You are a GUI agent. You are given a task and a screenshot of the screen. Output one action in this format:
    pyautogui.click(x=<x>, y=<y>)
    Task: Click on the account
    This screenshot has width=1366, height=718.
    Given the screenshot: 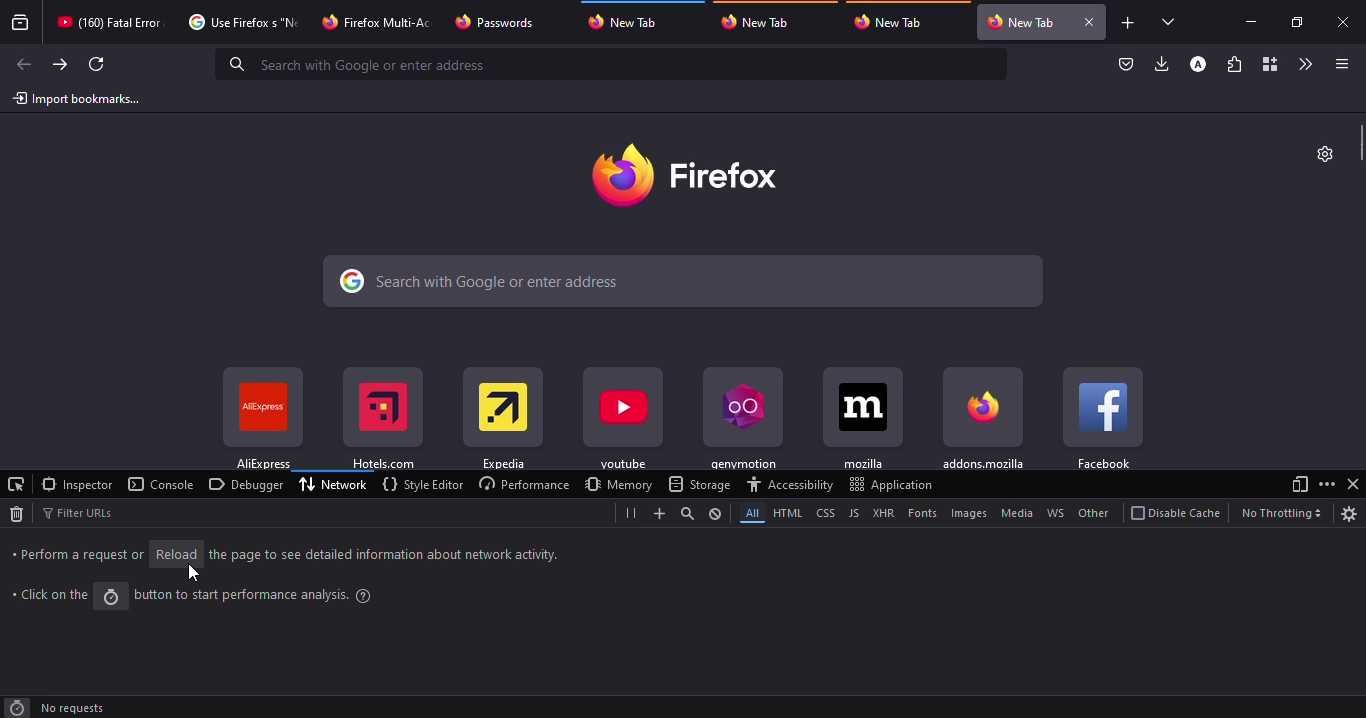 What is the action you would take?
    pyautogui.click(x=1198, y=64)
    